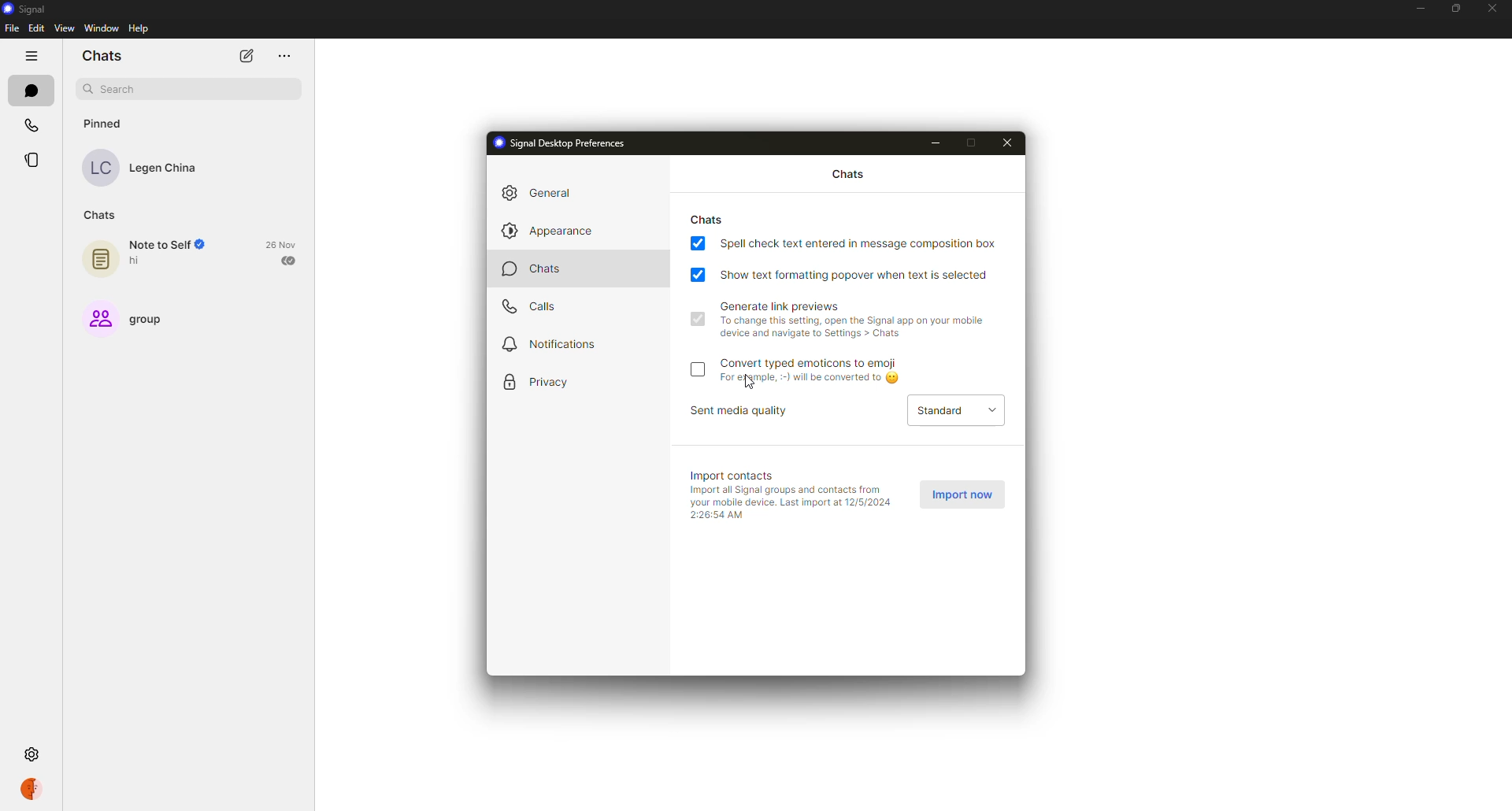 This screenshot has width=1512, height=811. I want to click on chats, so click(539, 268).